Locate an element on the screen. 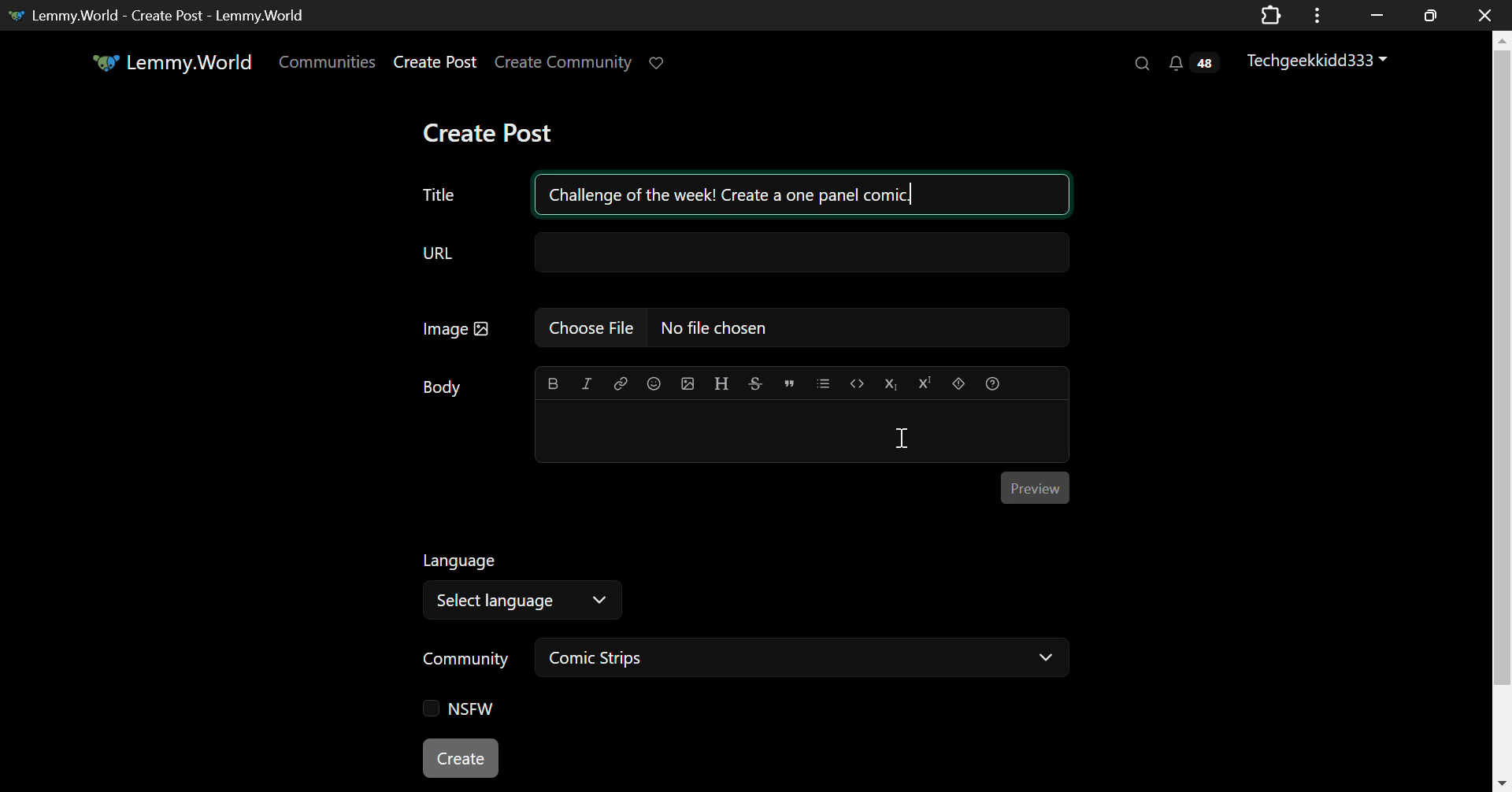  Title: Challenge of the week! Create a one pane comic. is located at coordinates (745, 192).